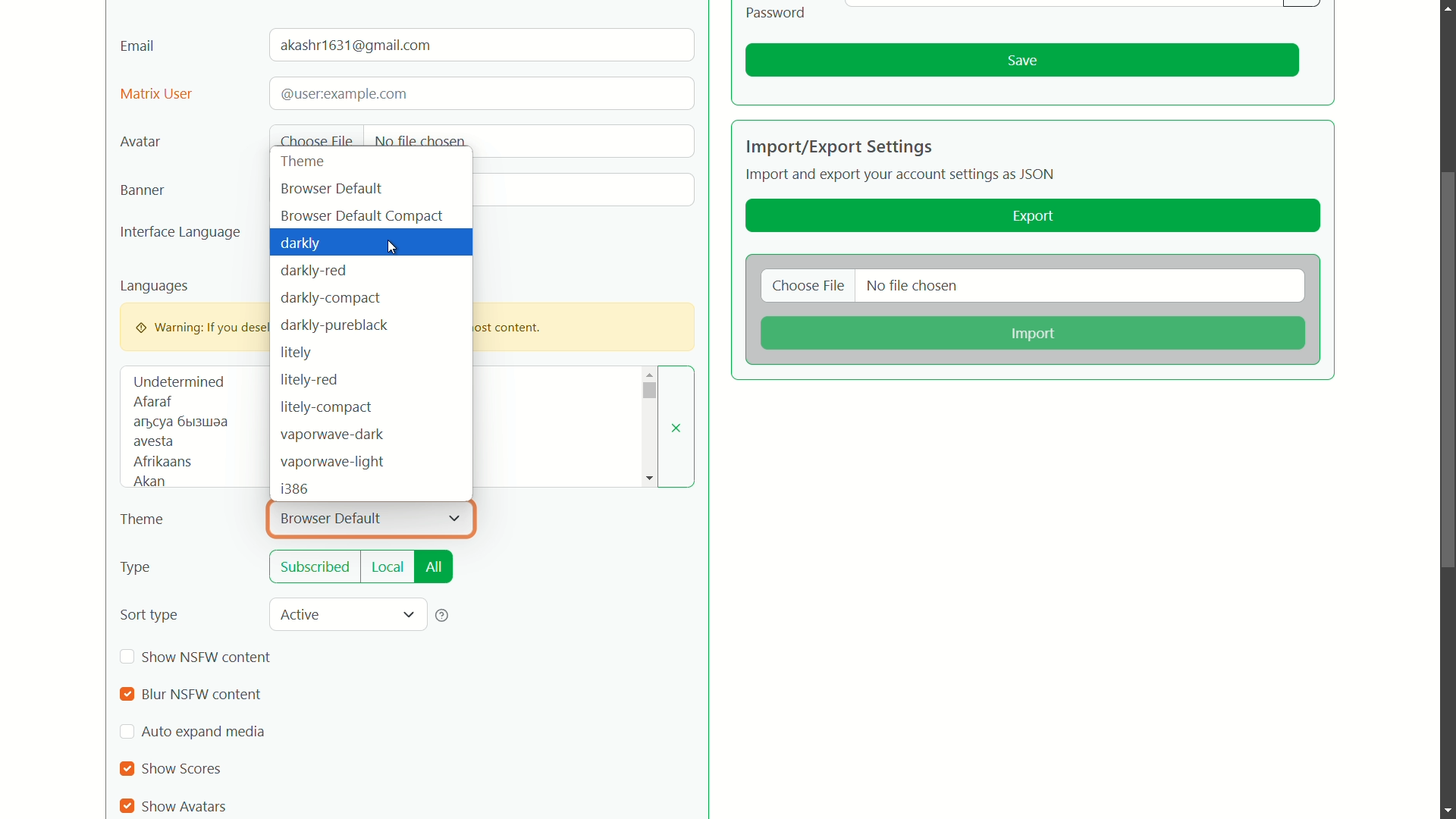 The height and width of the screenshot is (819, 1456). Describe the element at coordinates (163, 461) in the screenshot. I see `afrikaans` at that location.